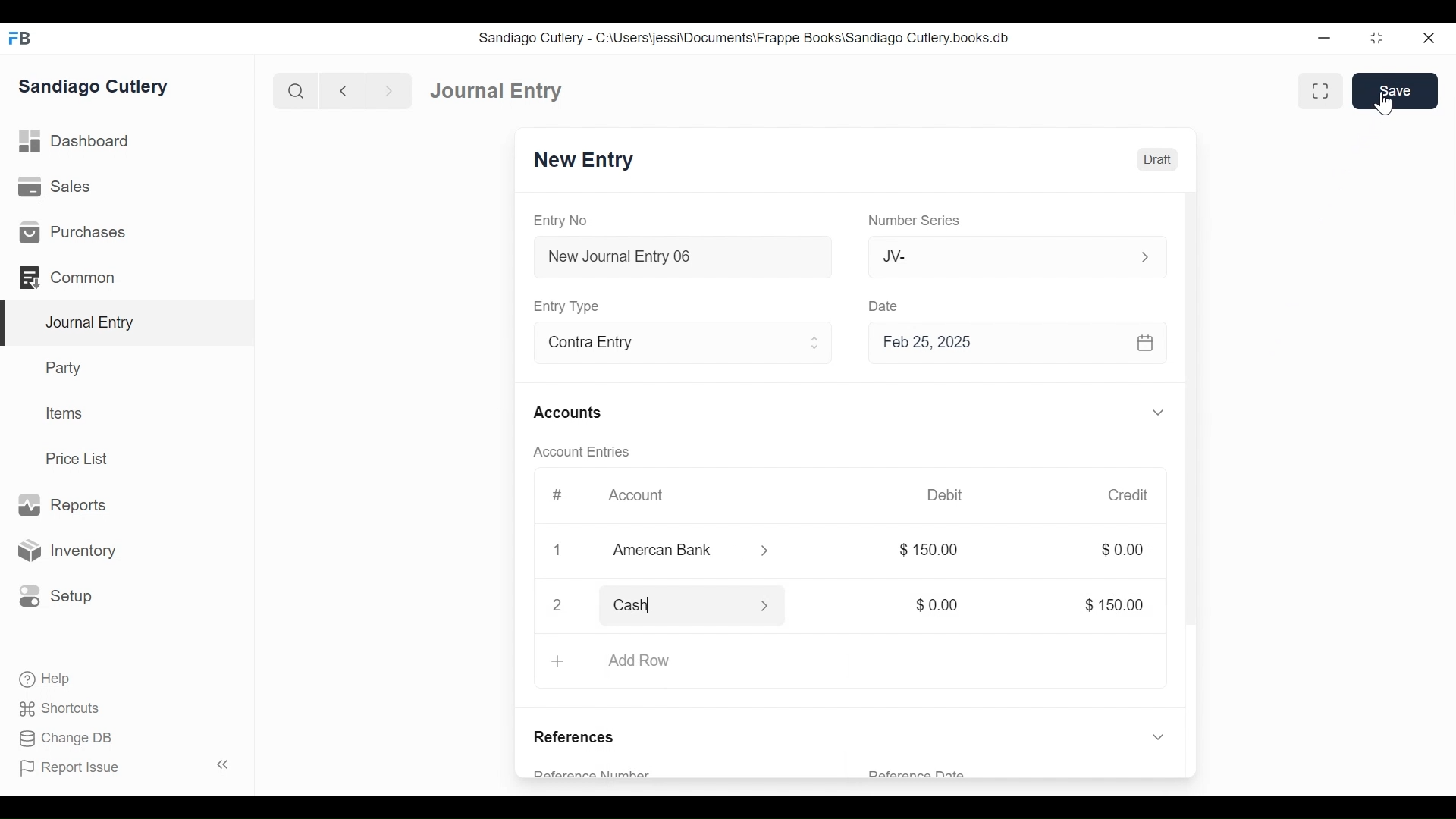 This screenshot has width=1456, height=819. Describe the element at coordinates (1325, 37) in the screenshot. I see `minimize` at that location.